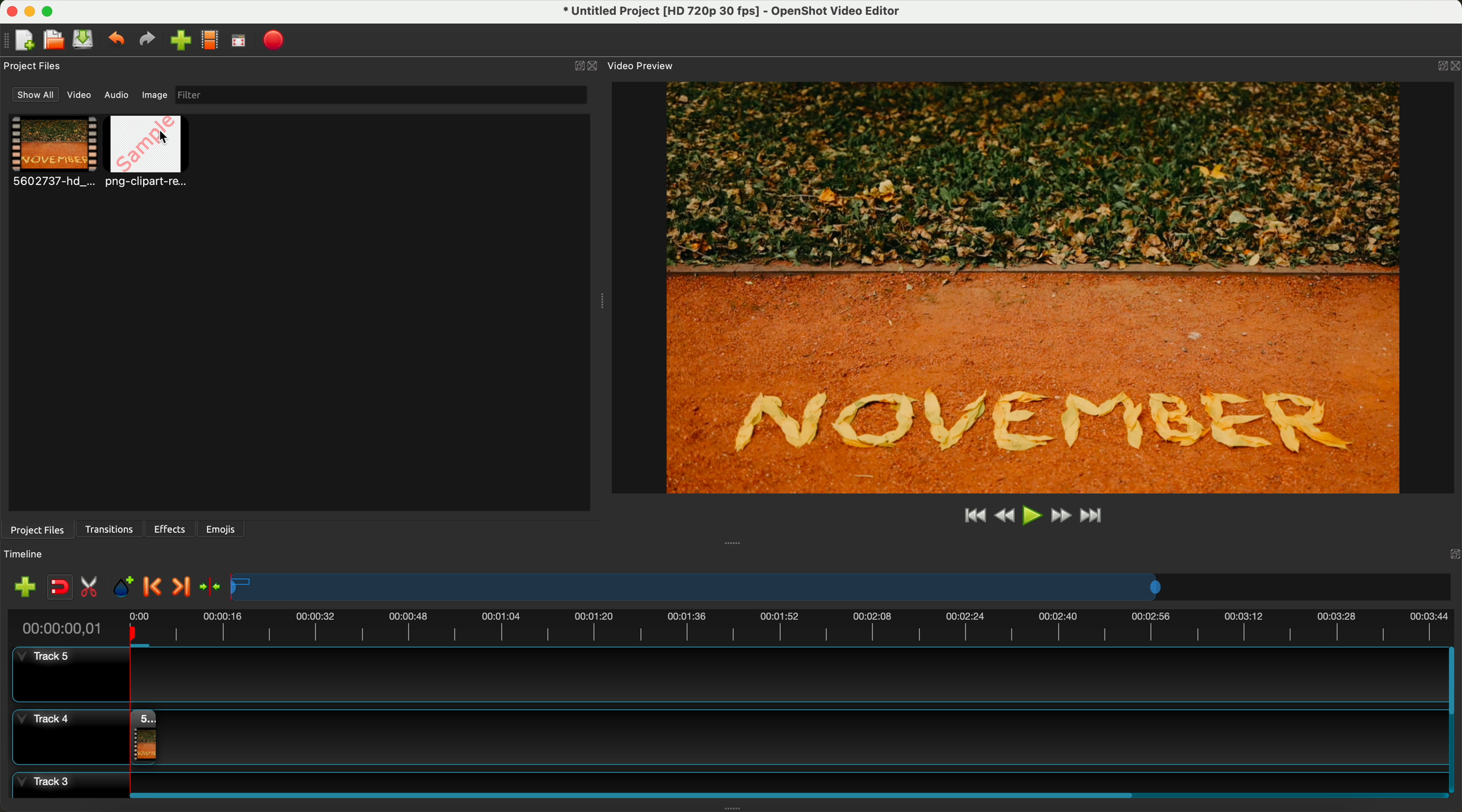 The height and width of the screenshot is (812, 1462). I want to click on scroll bar, so click(1453, 720).